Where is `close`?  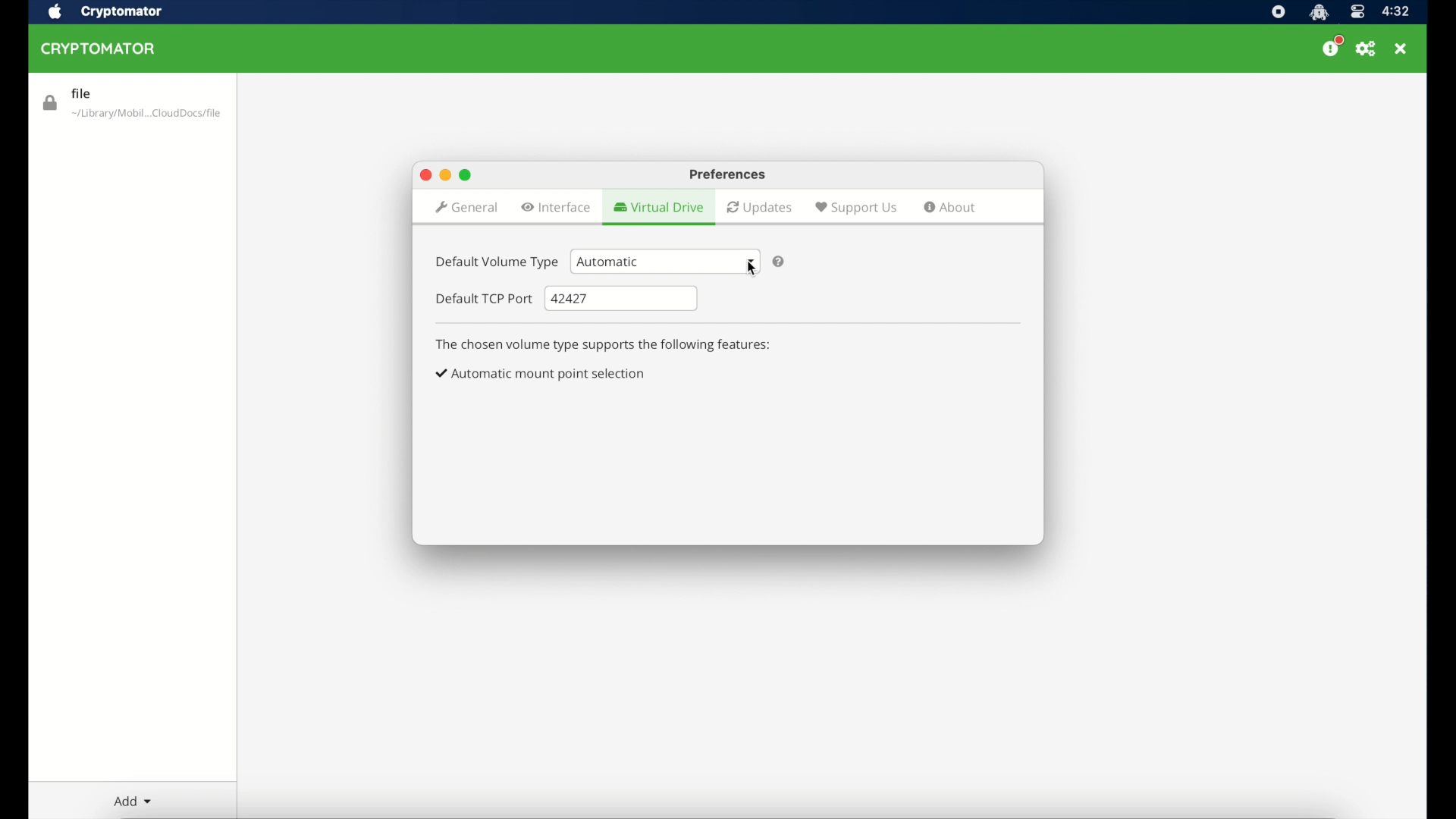 close is located at coordinates (425, 176).